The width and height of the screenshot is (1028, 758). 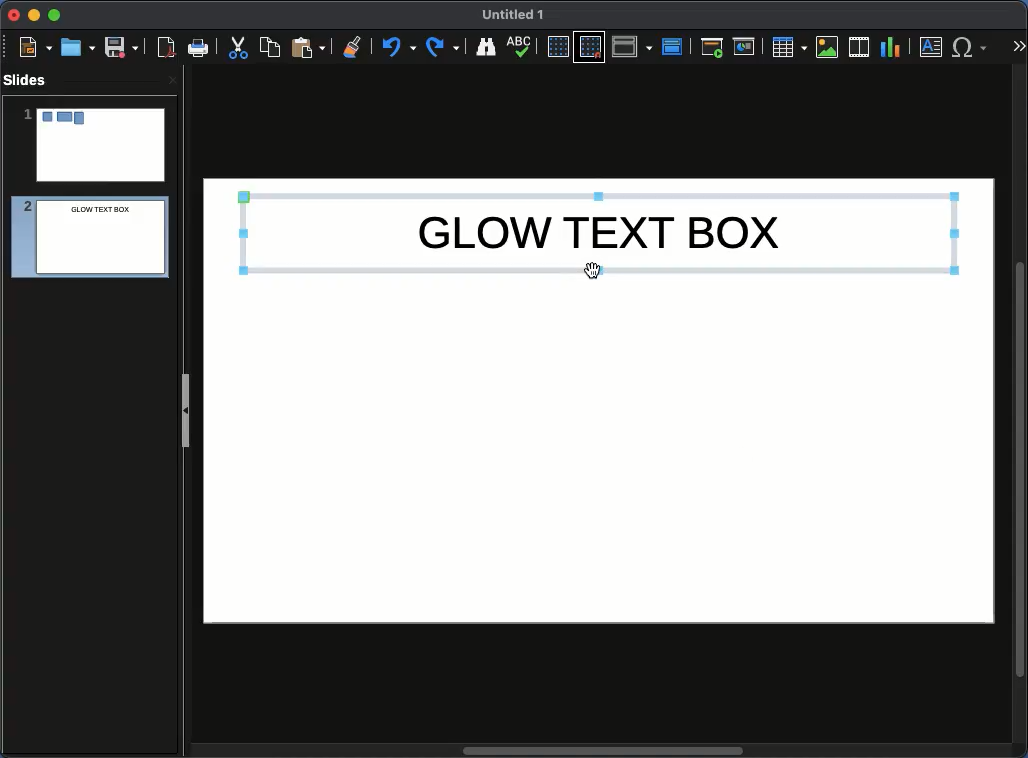 What do you see at coordinates (932, 46) in the screenshot?
I see `Textbox` at bounding box center [932, 46].